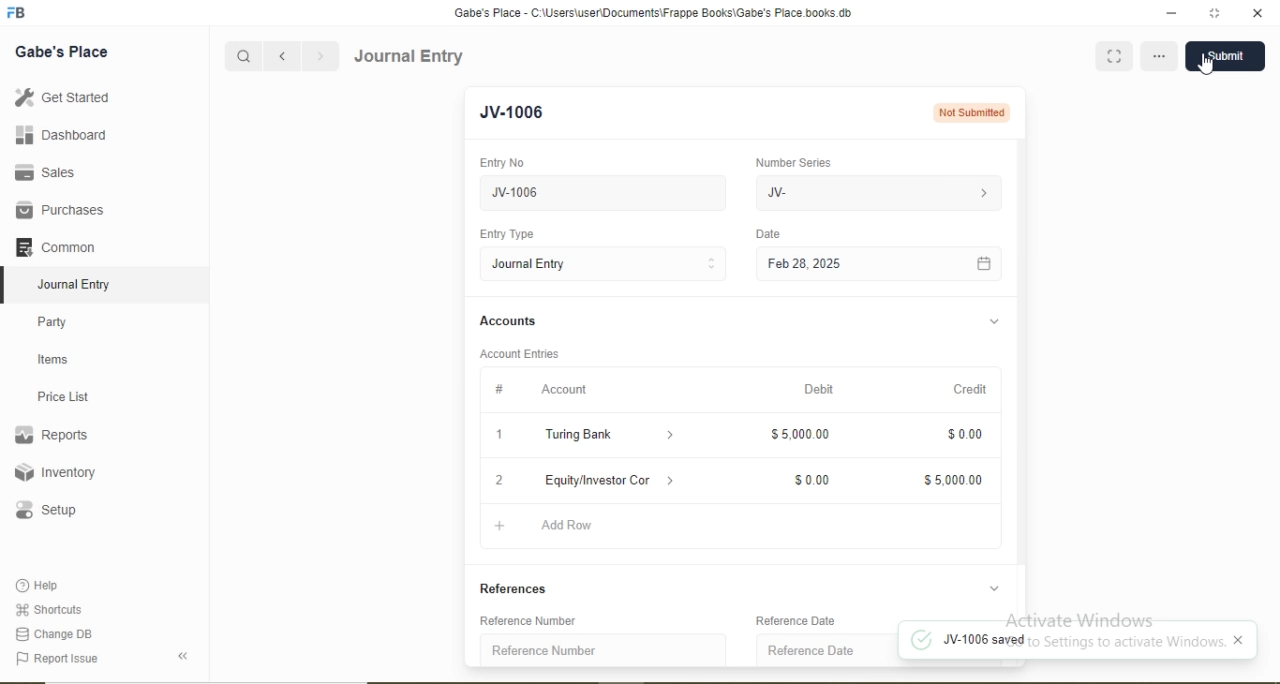 The image size is (1280, 684). Describe the element at coordinates (552, 193) in the screenshot. I see `JV-1006` at that location.